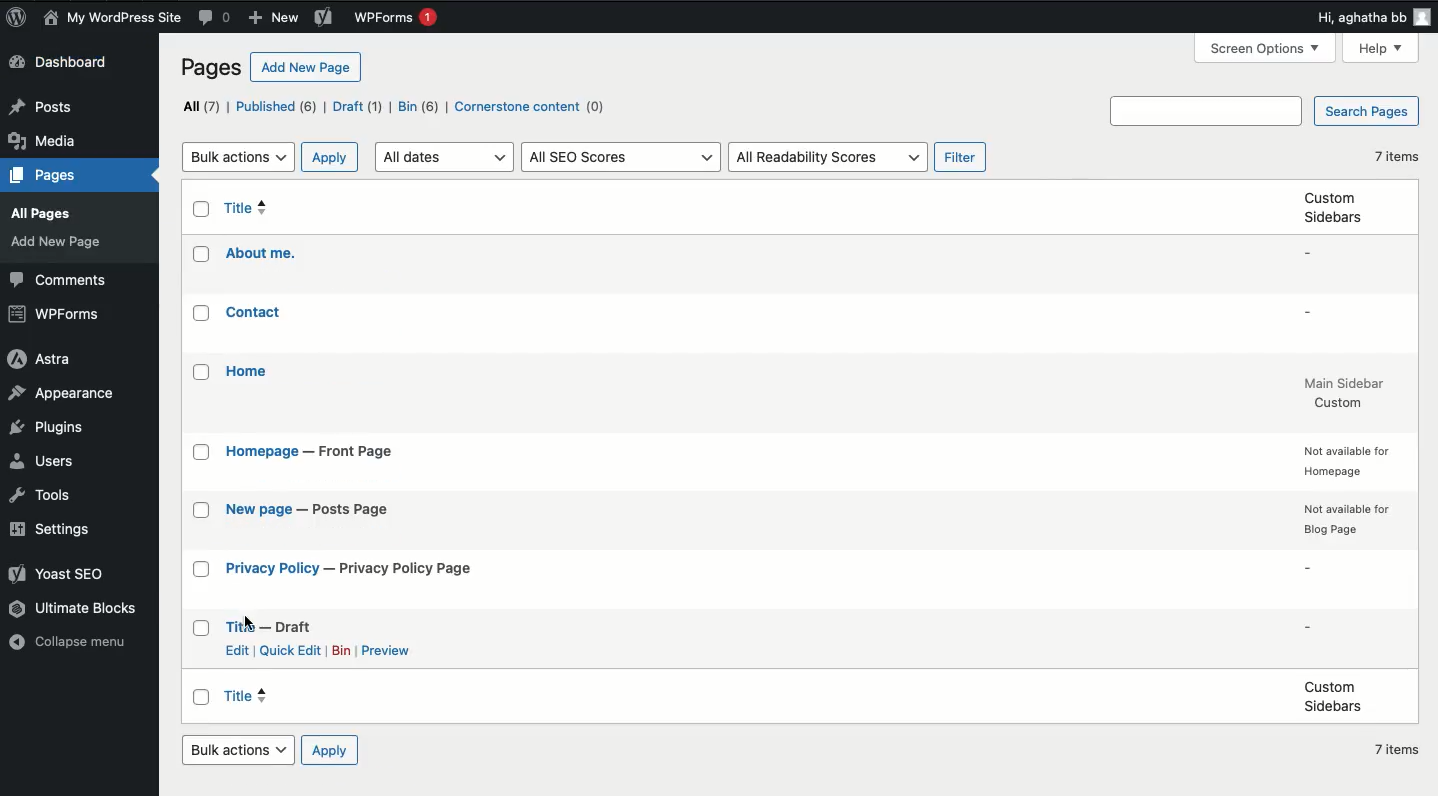  Describe the element at coordinates (421, 108) in the screenshot. I see `Bin` at that location.